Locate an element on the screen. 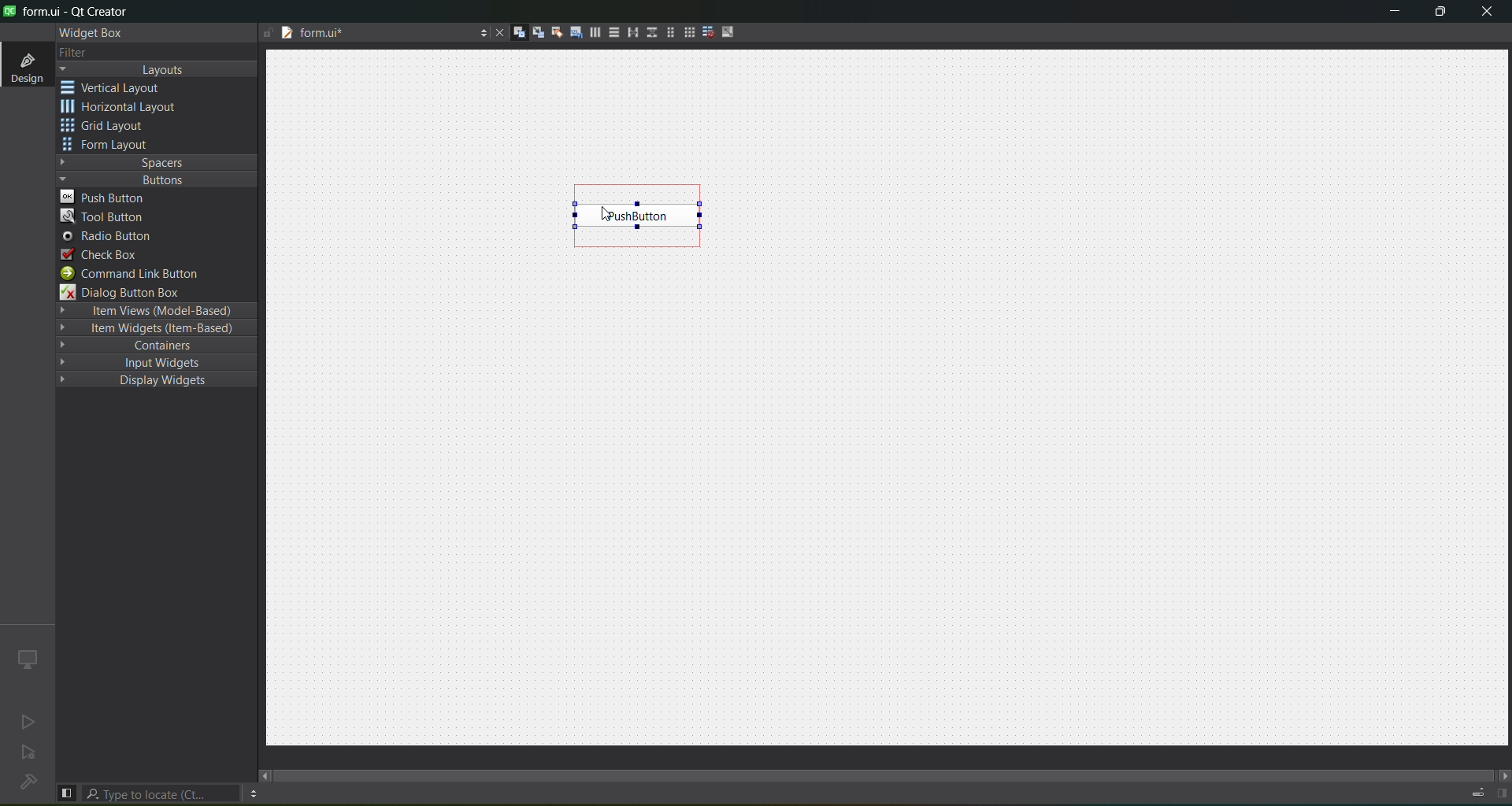 The image size is (1512, 806). show/hide left pane is located at coordinates (66, 792).